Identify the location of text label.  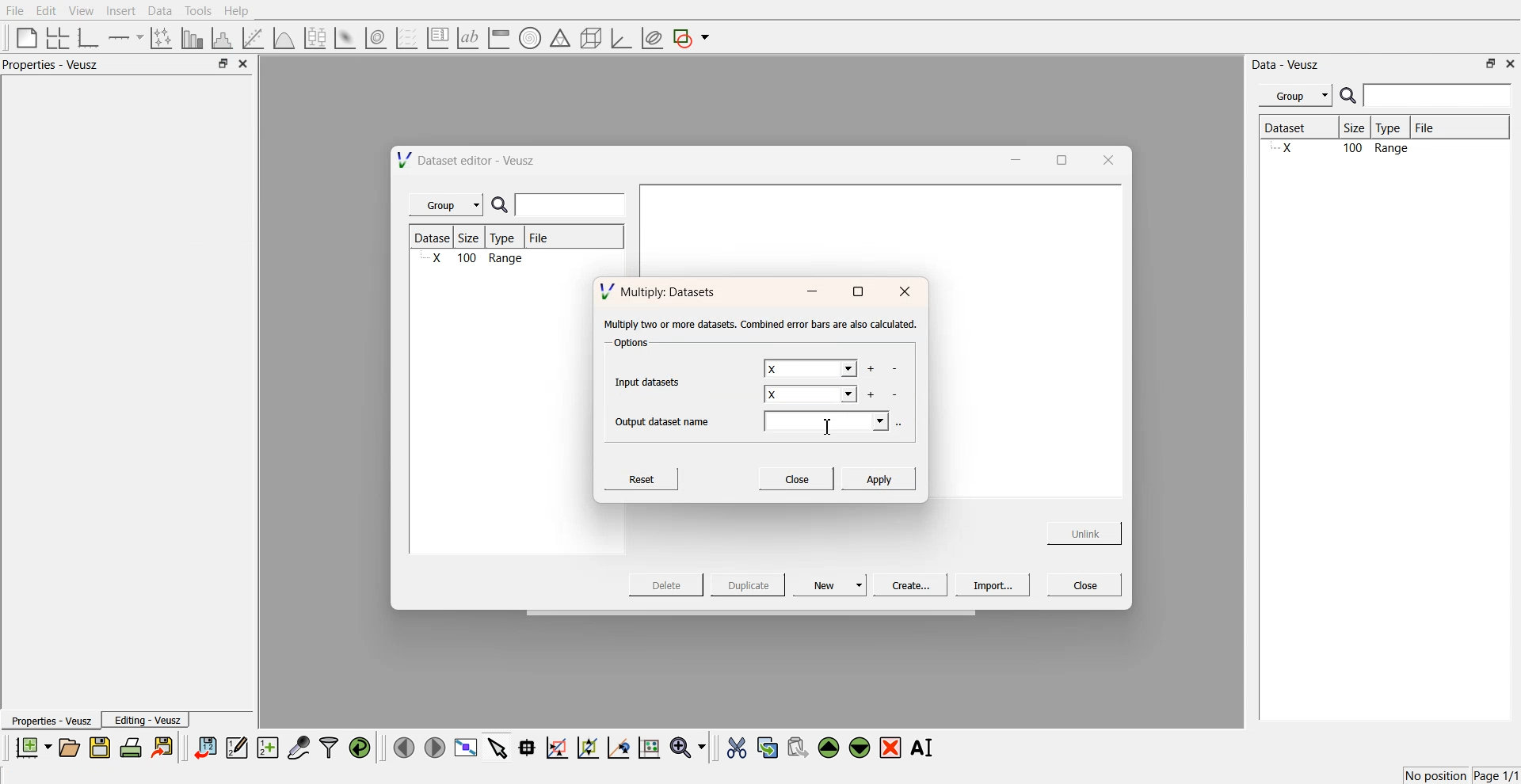
(466, 38).